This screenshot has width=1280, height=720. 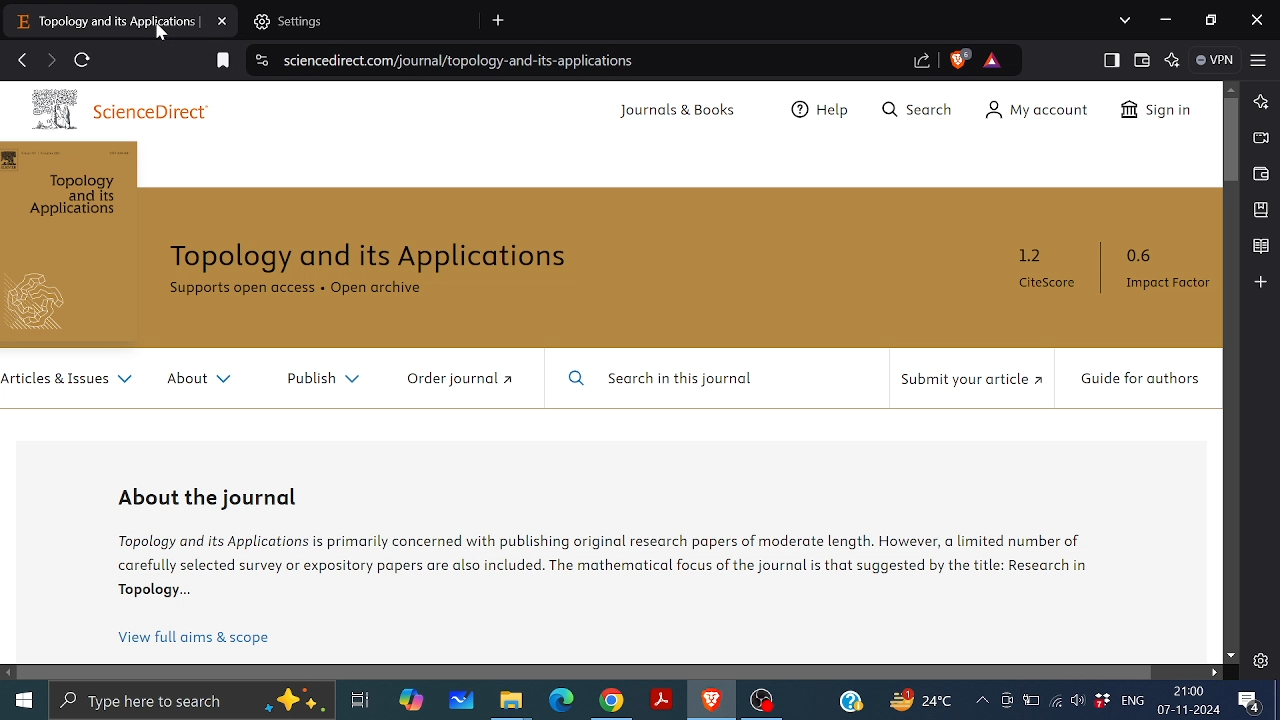 I want to click on Move page downwards, so click(x=1231, y=655).